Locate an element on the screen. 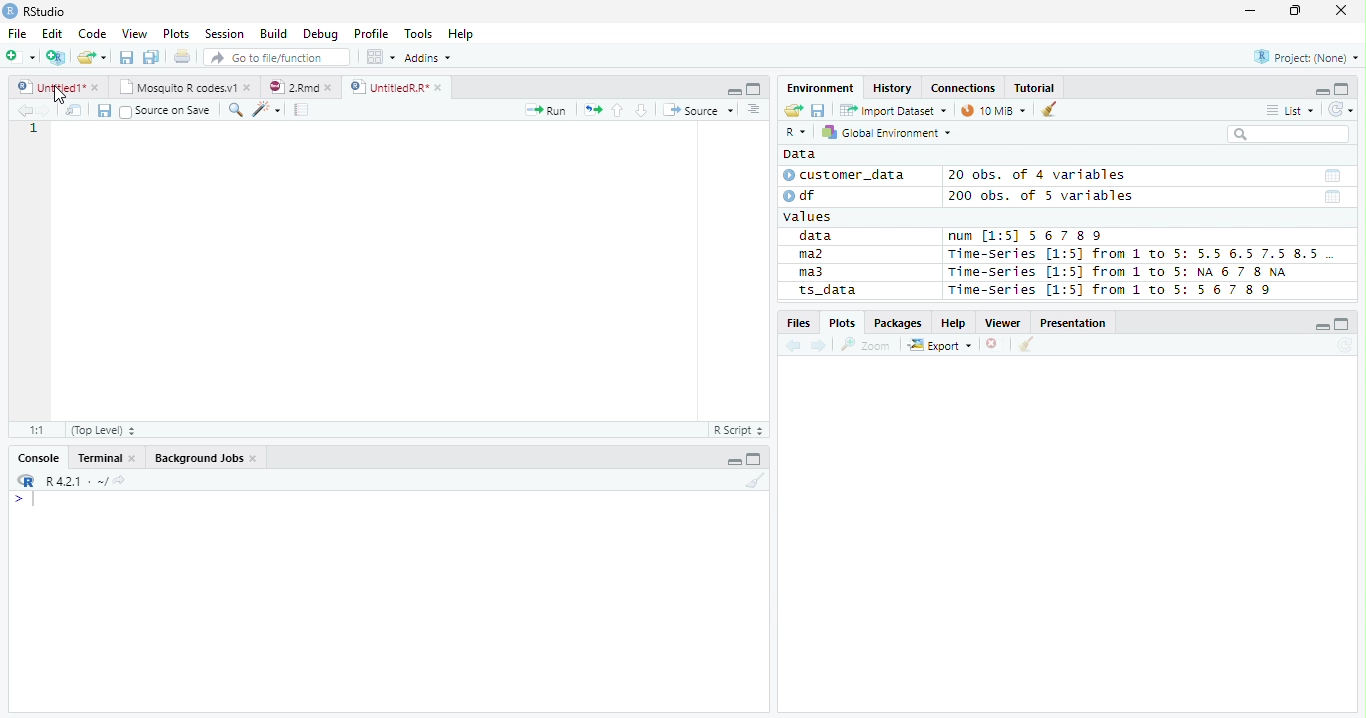 The height and width of the screenshot is (718, 1366). Plots is located at coordinates (842, 322).